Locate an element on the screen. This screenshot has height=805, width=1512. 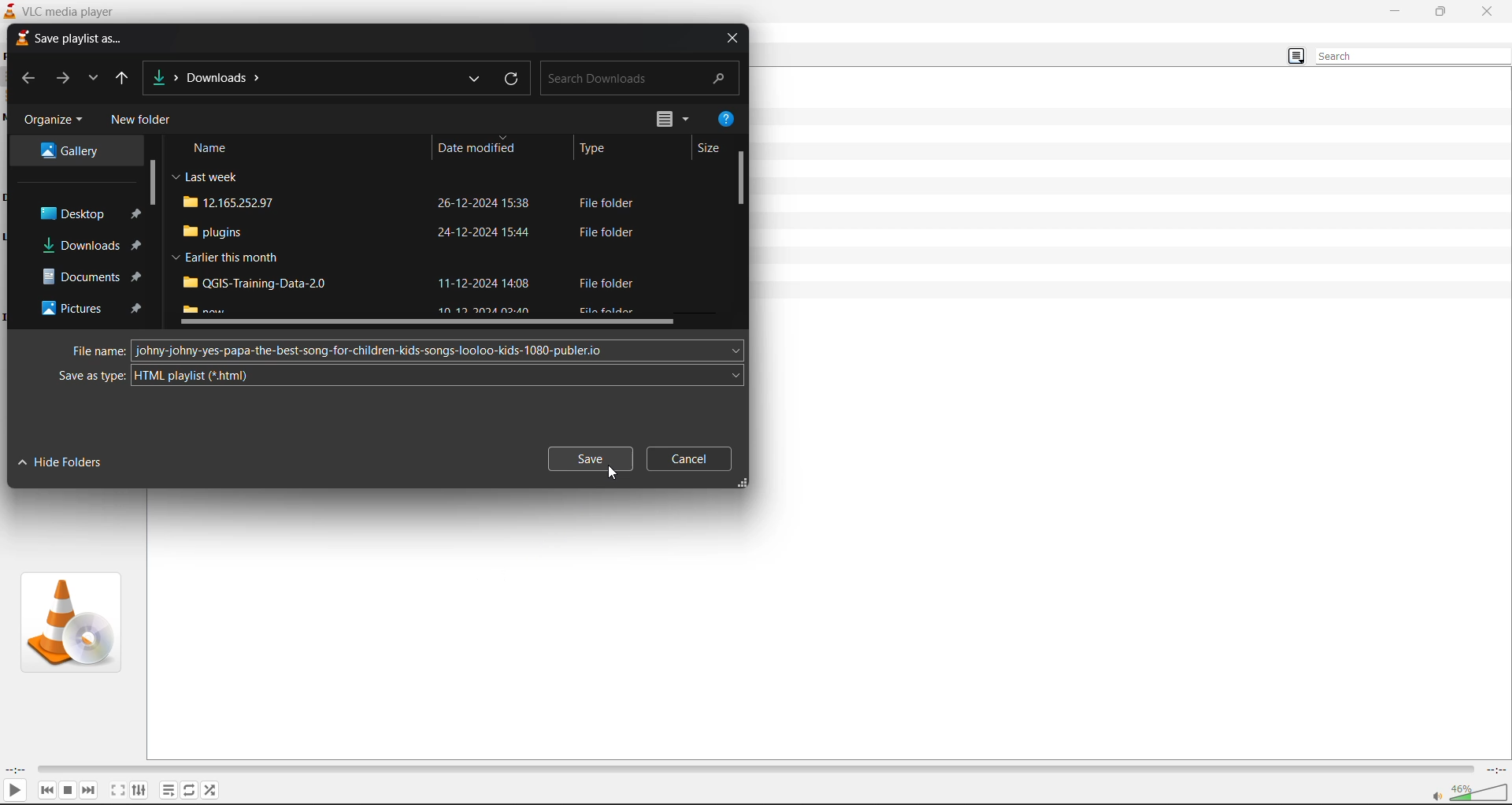
organize is located at coordinates (52, 118).